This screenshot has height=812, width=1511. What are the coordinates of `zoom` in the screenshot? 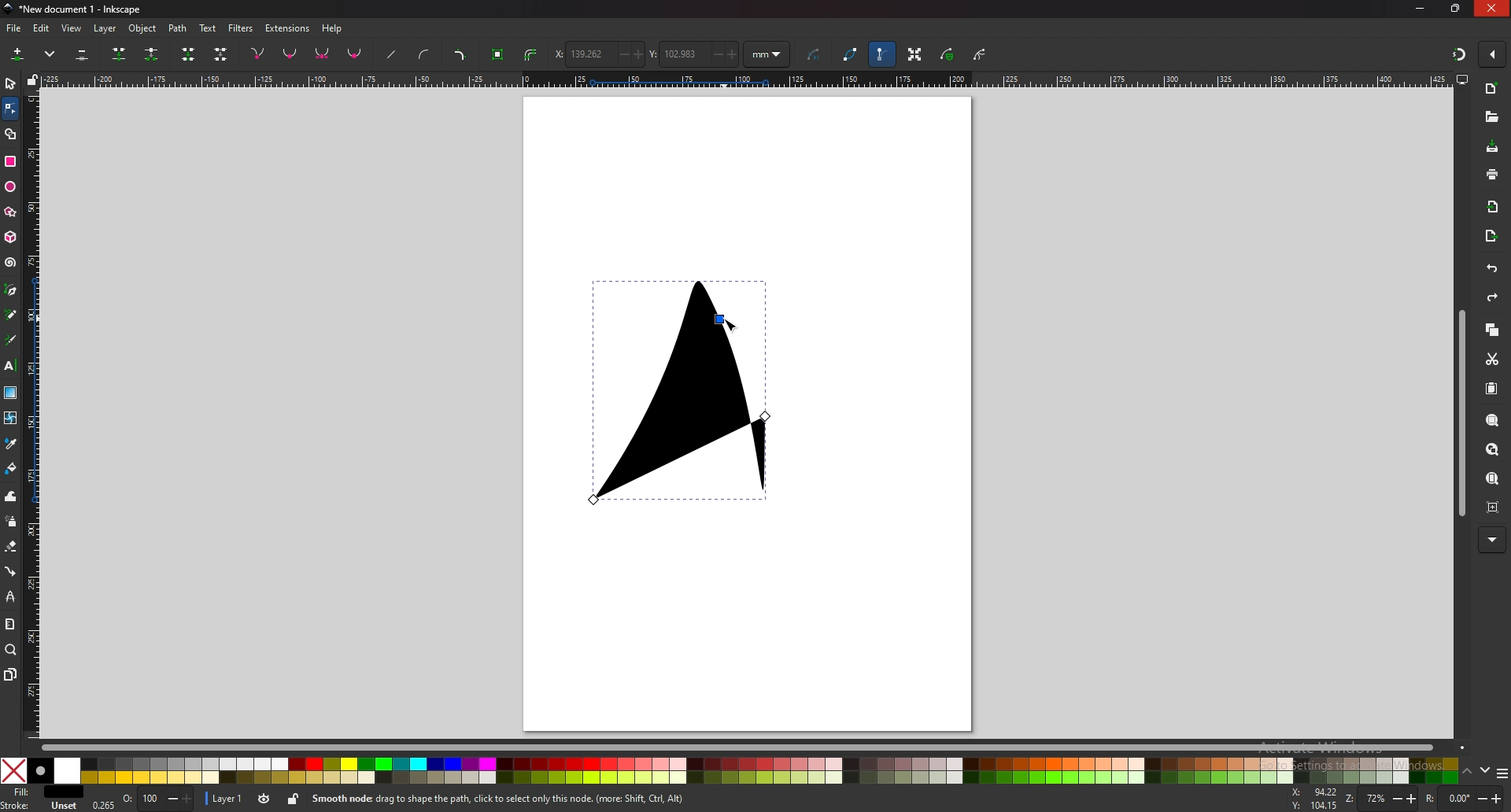 It's located at (11, 650).